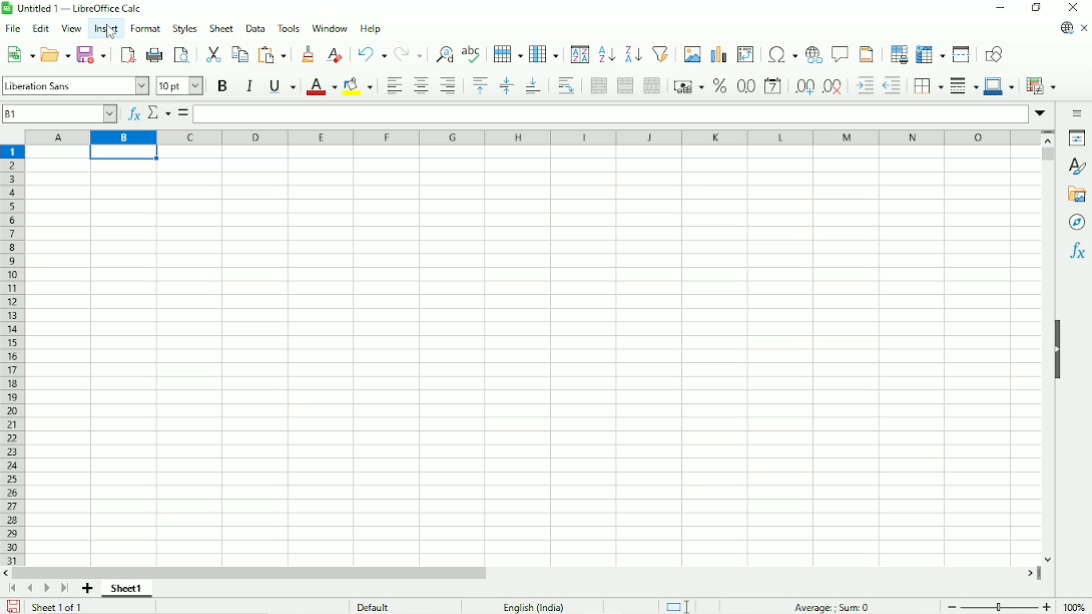 Image resolution: width=1092 pixels, height=614 pixels. What do you see at coordinates (930, 54) in the screenshot?
I see `Freeze rows and columns` at bounding box center [930, 54].